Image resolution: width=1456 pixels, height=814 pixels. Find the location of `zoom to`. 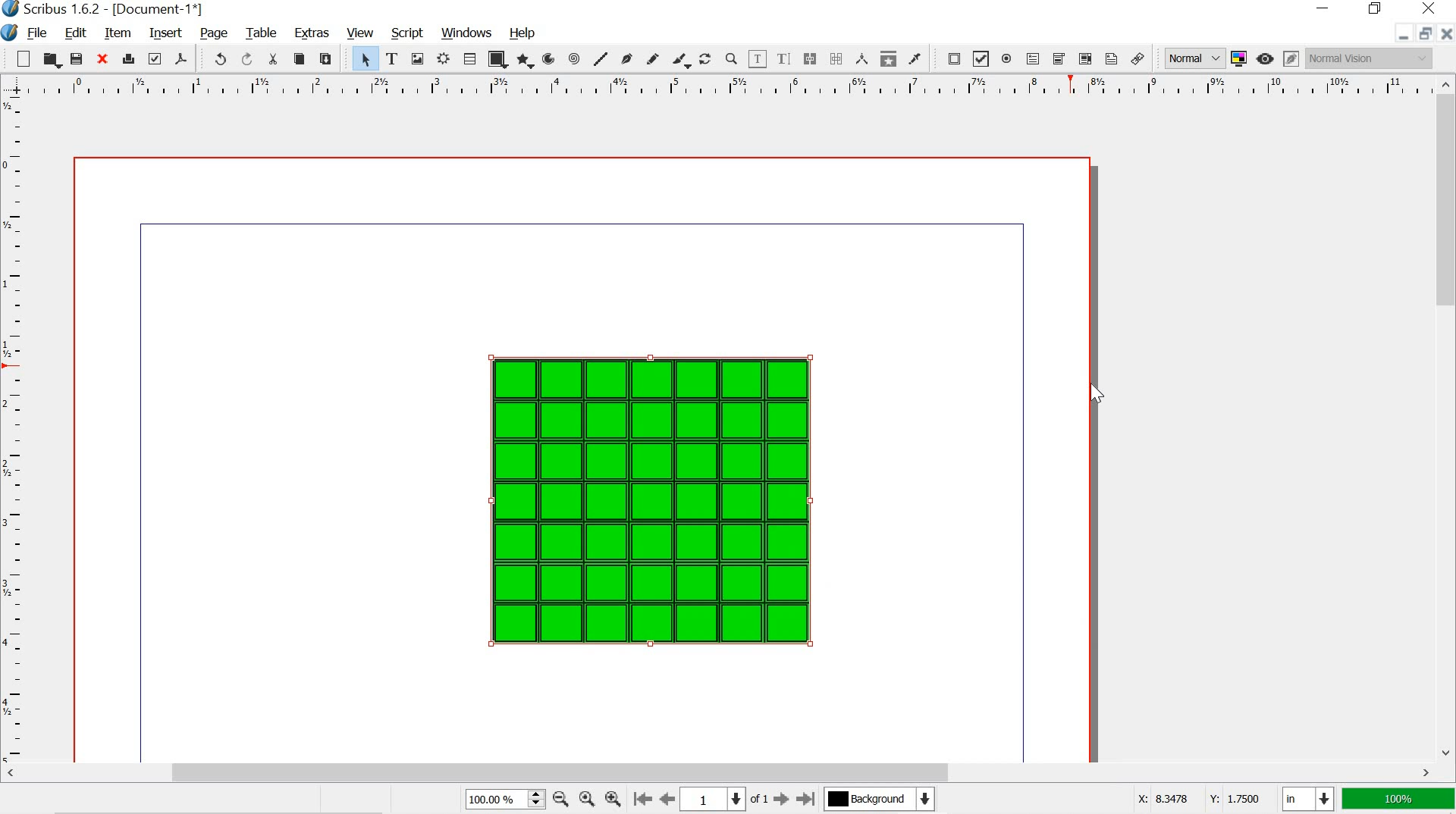

zoom to is located at coordinates (585, 798).